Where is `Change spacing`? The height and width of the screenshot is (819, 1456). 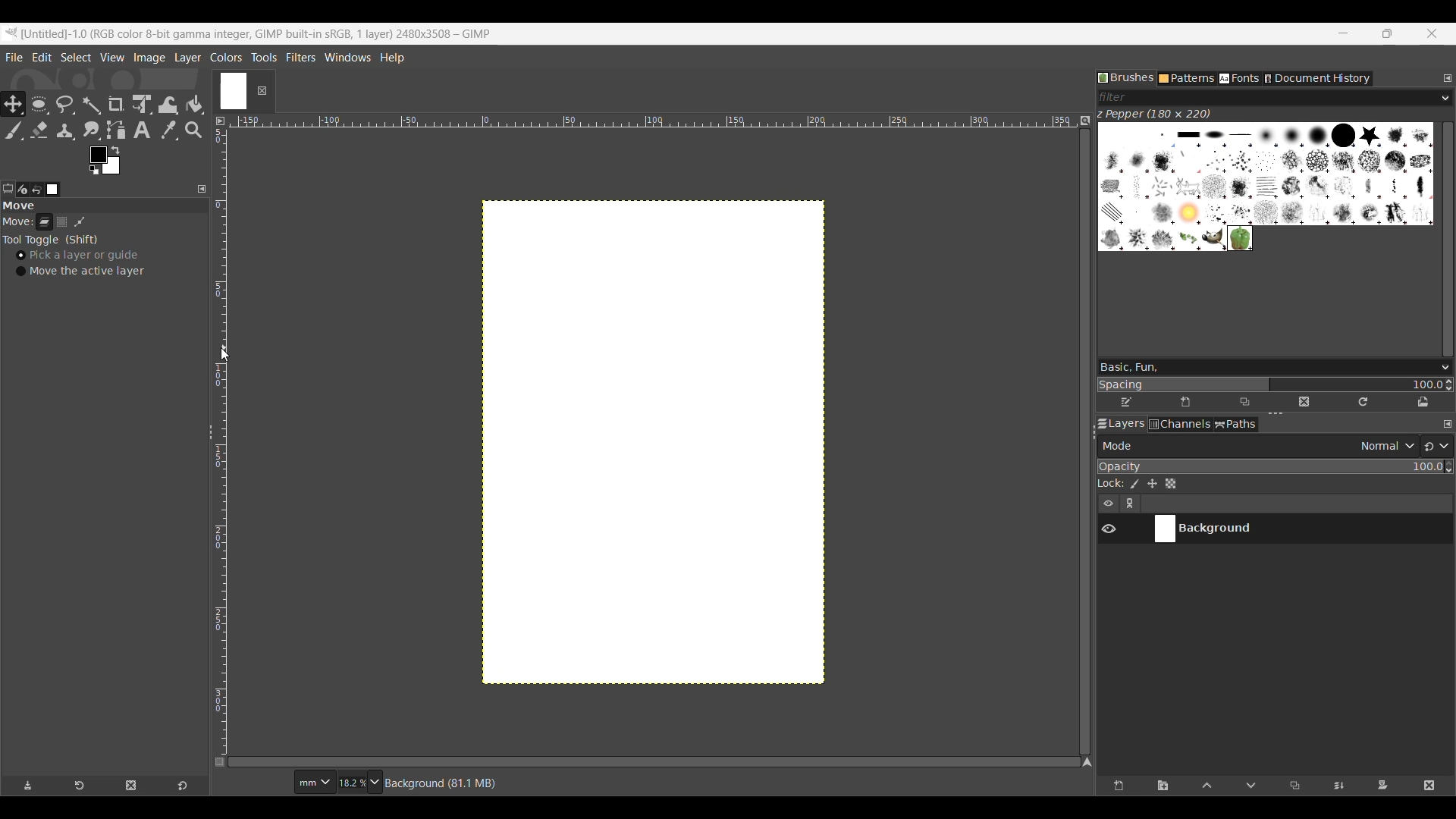
Change spacing is located at coordinates (1269, 384).